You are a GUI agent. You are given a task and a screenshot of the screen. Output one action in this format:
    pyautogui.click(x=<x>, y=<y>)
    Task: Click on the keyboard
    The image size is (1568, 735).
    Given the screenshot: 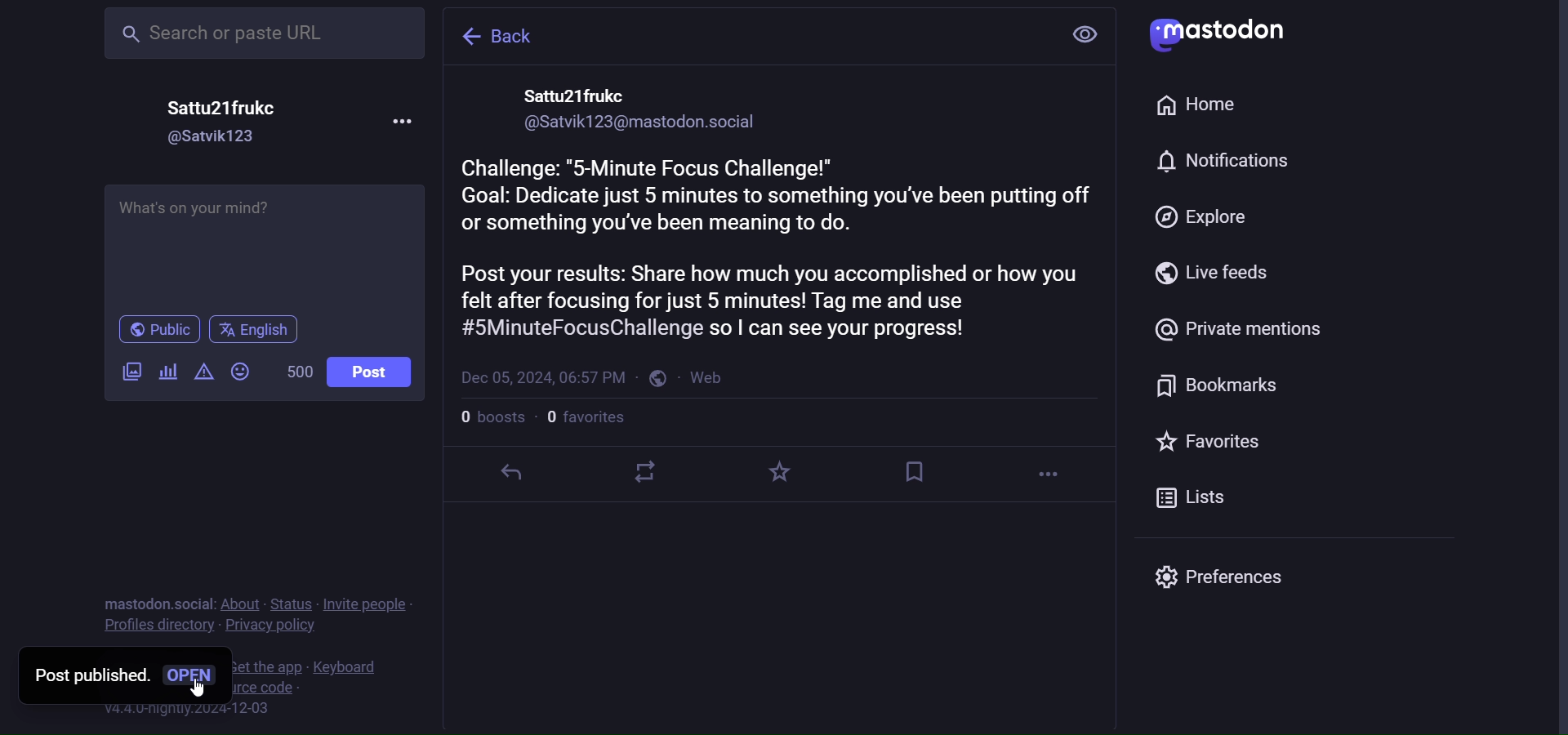 What is the action you would take?
    pyautogui.click(x=349, y=669)
    